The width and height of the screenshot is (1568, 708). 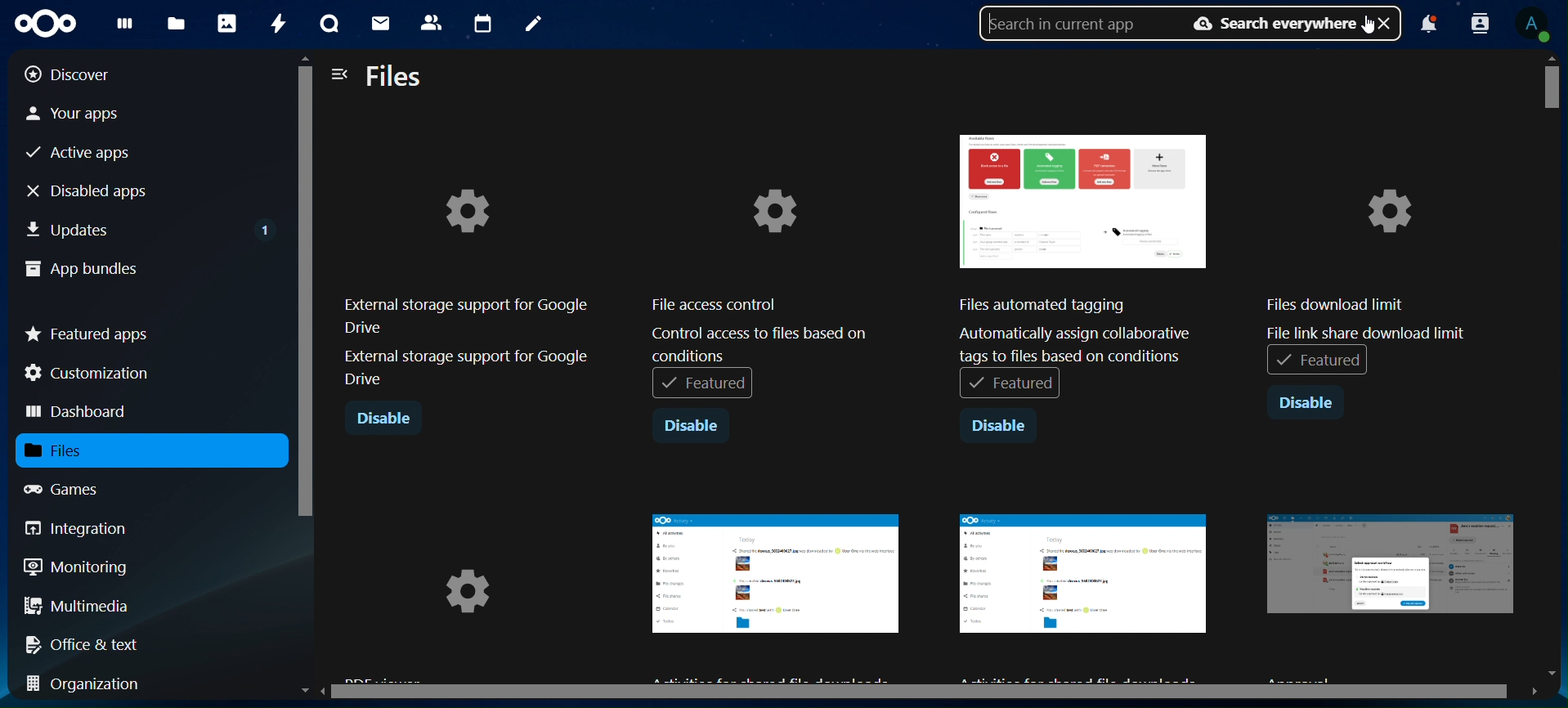 I want to click on files download limit file link share download limit, so click(x=1366, y=256).